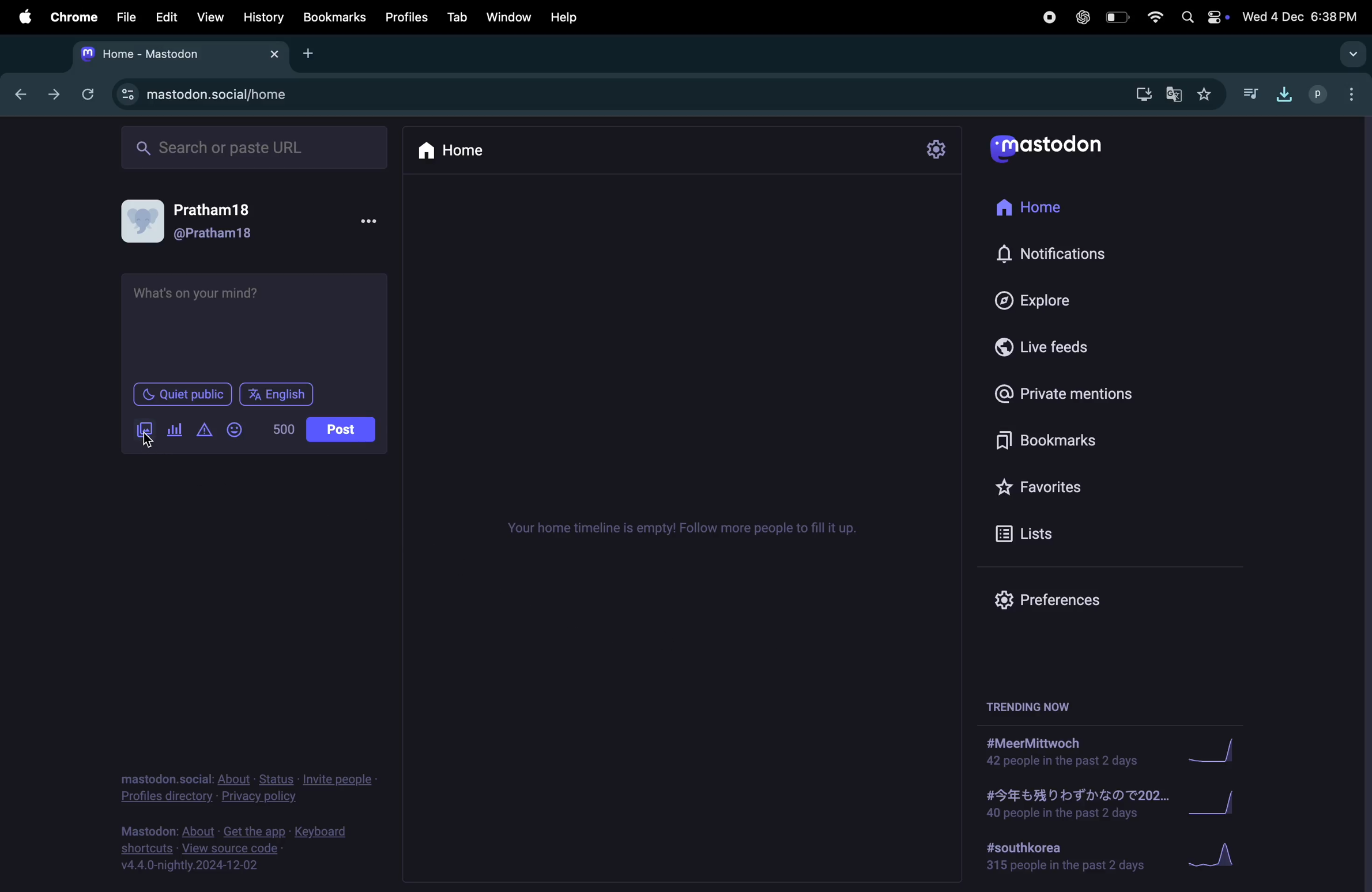  Describe the element at coordinates (1056, 146) in the screenshot. I see `mastodon ` at that location.